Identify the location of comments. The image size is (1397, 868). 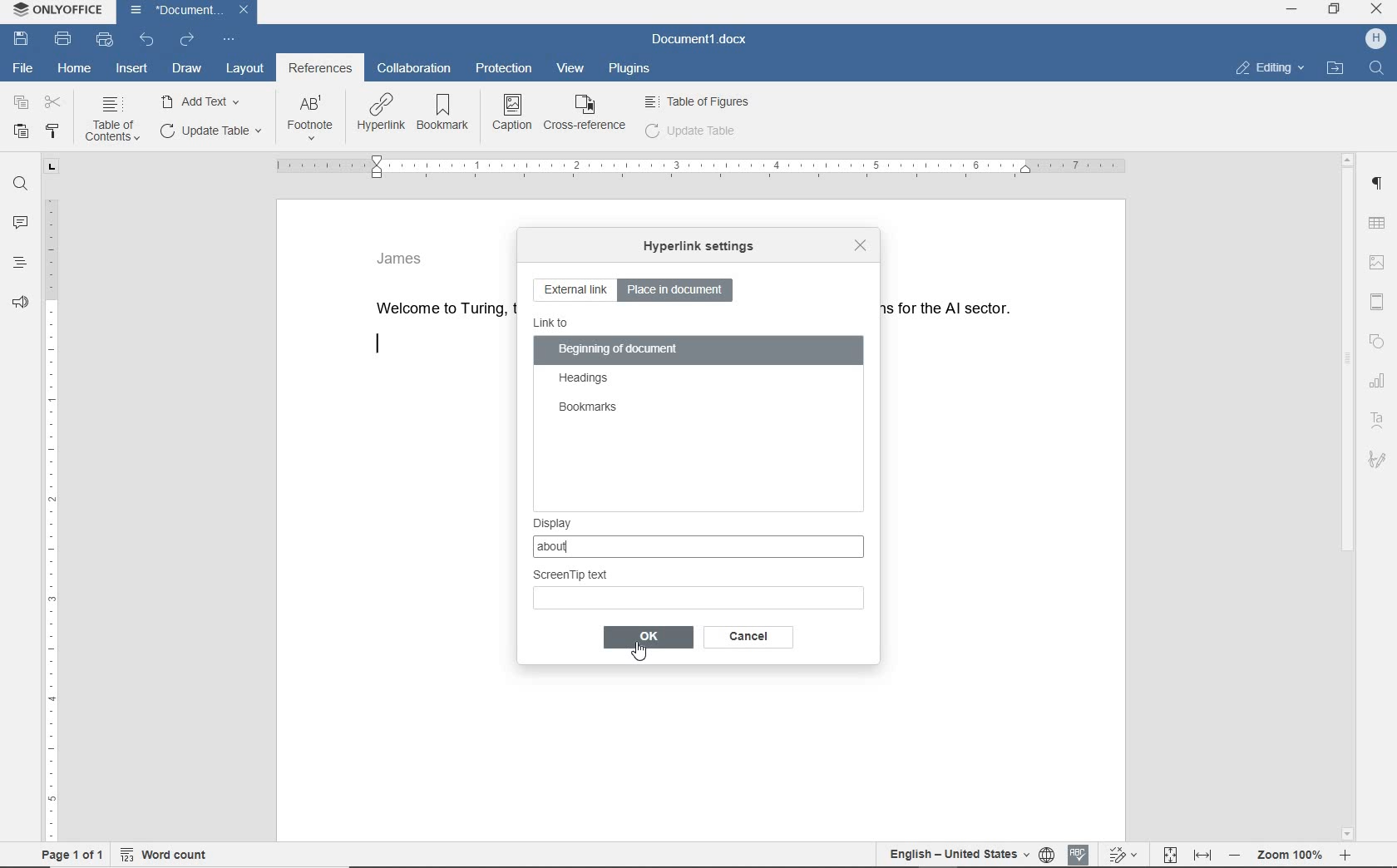
(22, 223).